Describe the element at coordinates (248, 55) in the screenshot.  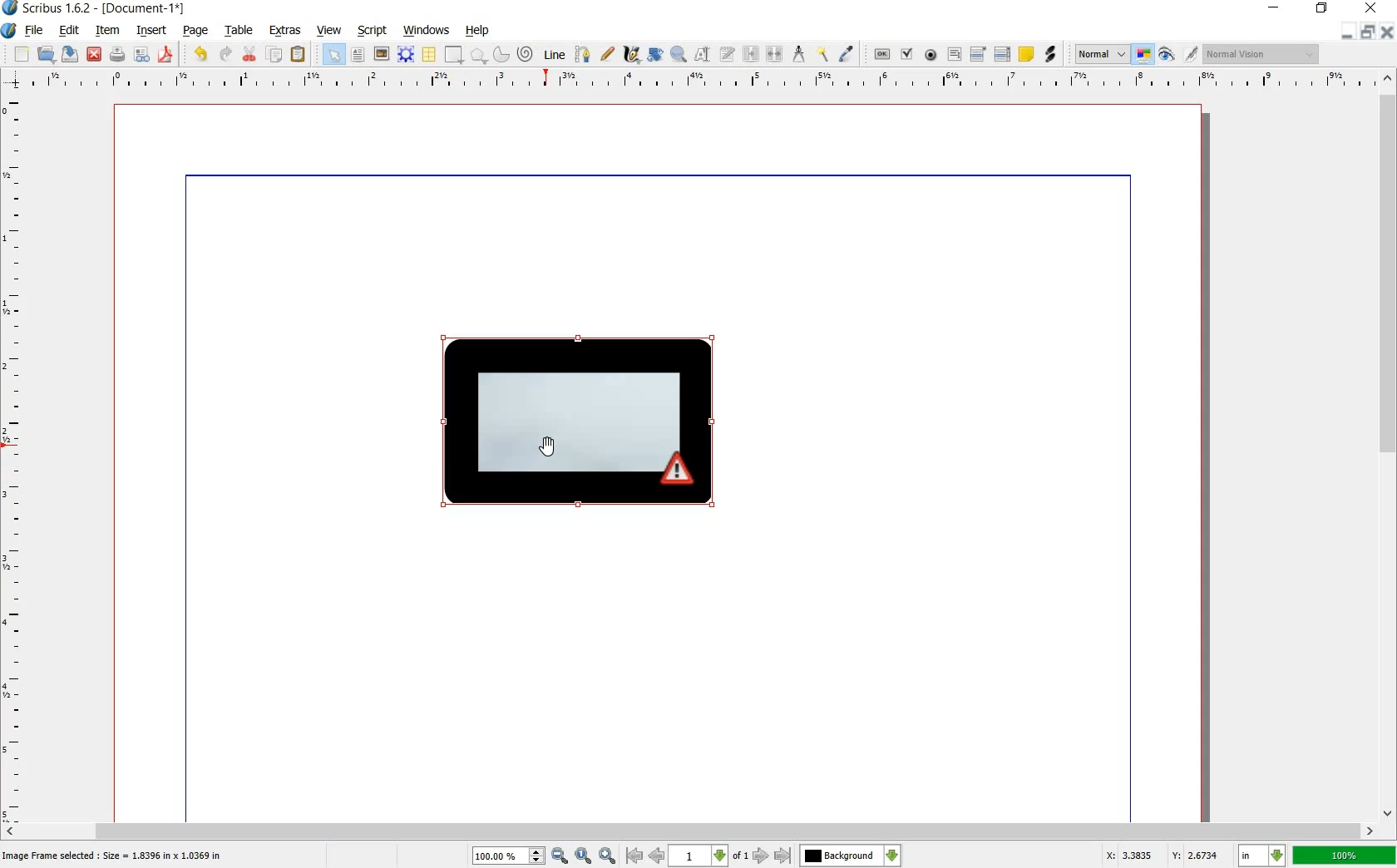
I see `cut` at that location.